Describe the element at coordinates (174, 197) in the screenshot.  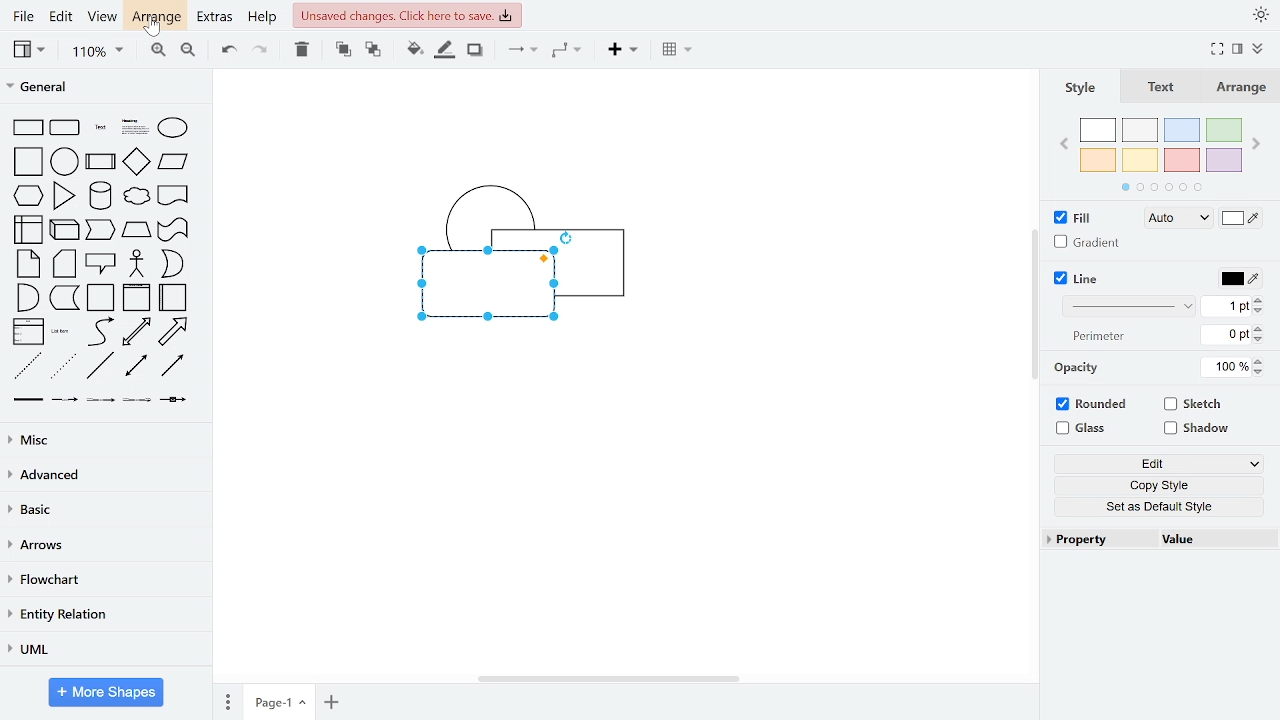
I see `document` at that location.